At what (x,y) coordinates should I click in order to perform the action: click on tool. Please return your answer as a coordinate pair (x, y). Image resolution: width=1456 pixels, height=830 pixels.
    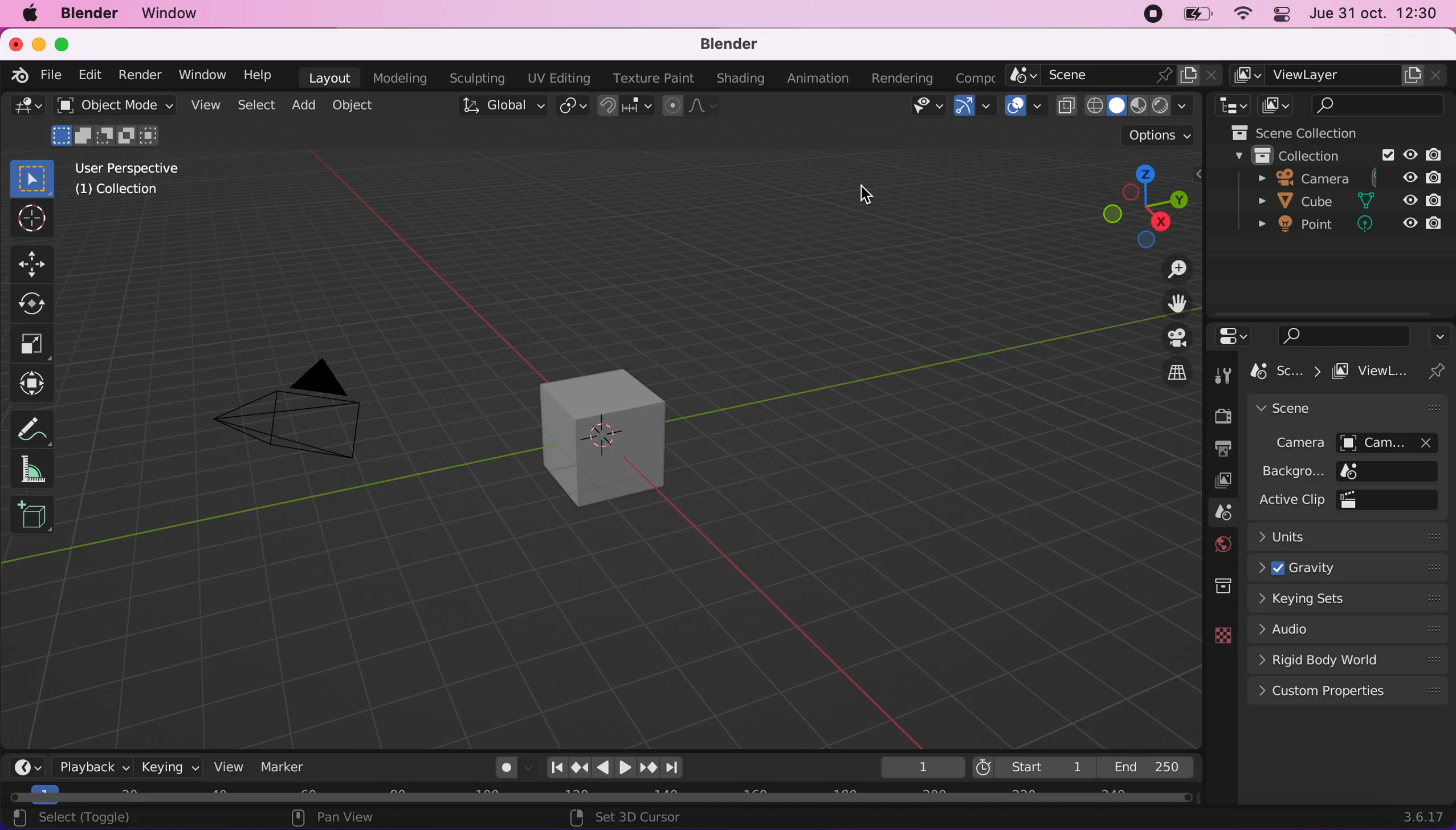
    Looking at the image, I should click on (1222, 376).